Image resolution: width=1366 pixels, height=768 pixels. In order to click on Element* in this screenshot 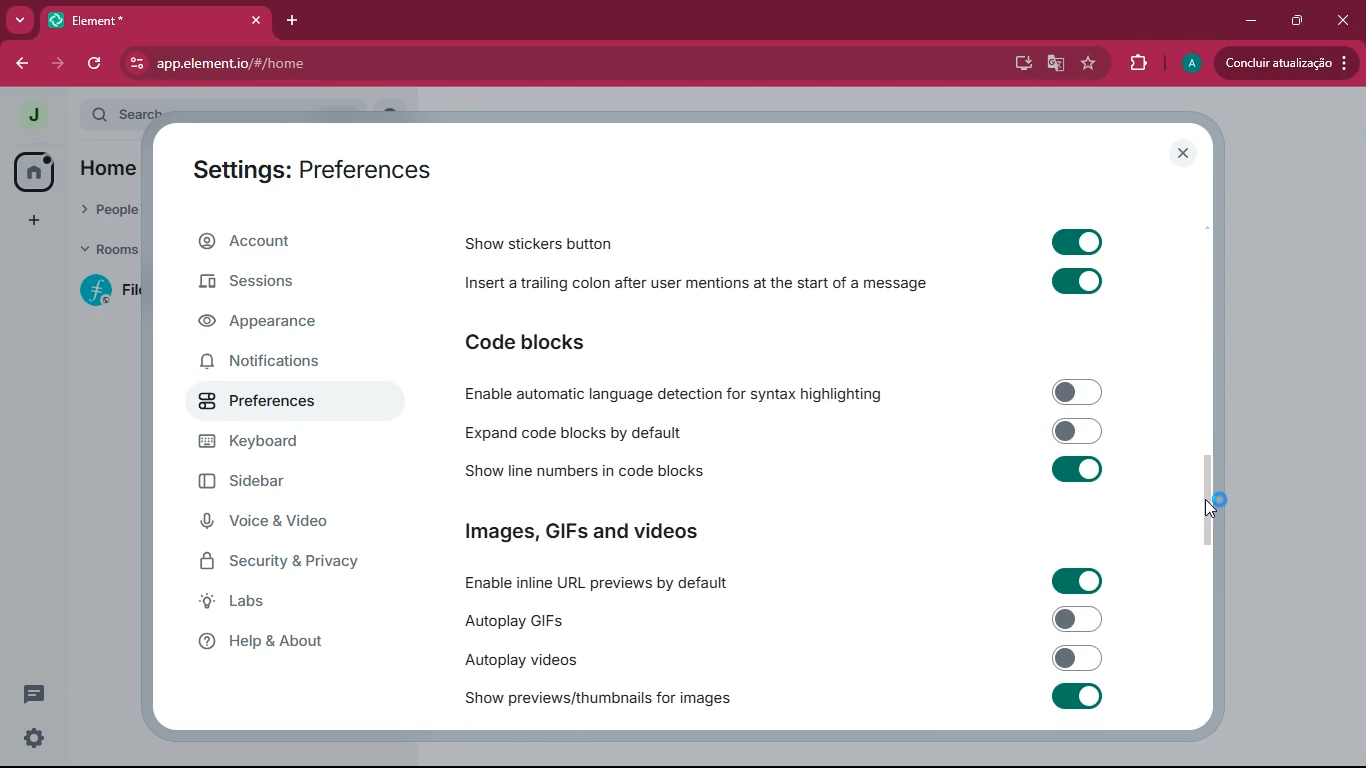, I will do `click(127, 20)`.